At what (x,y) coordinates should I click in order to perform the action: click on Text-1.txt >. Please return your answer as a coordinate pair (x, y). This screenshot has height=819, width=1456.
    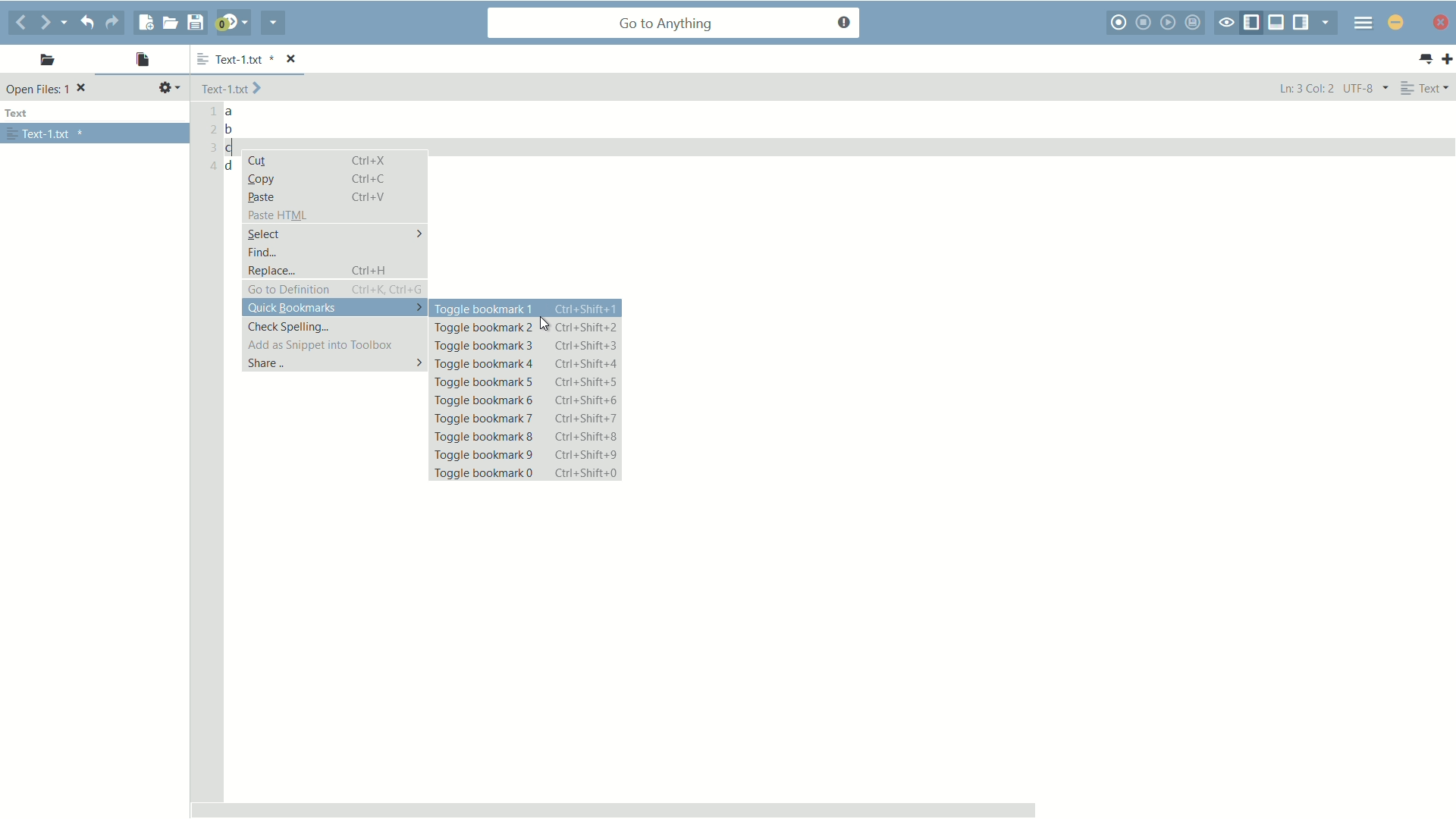
    Looking at the image, I should click on (234, 89).